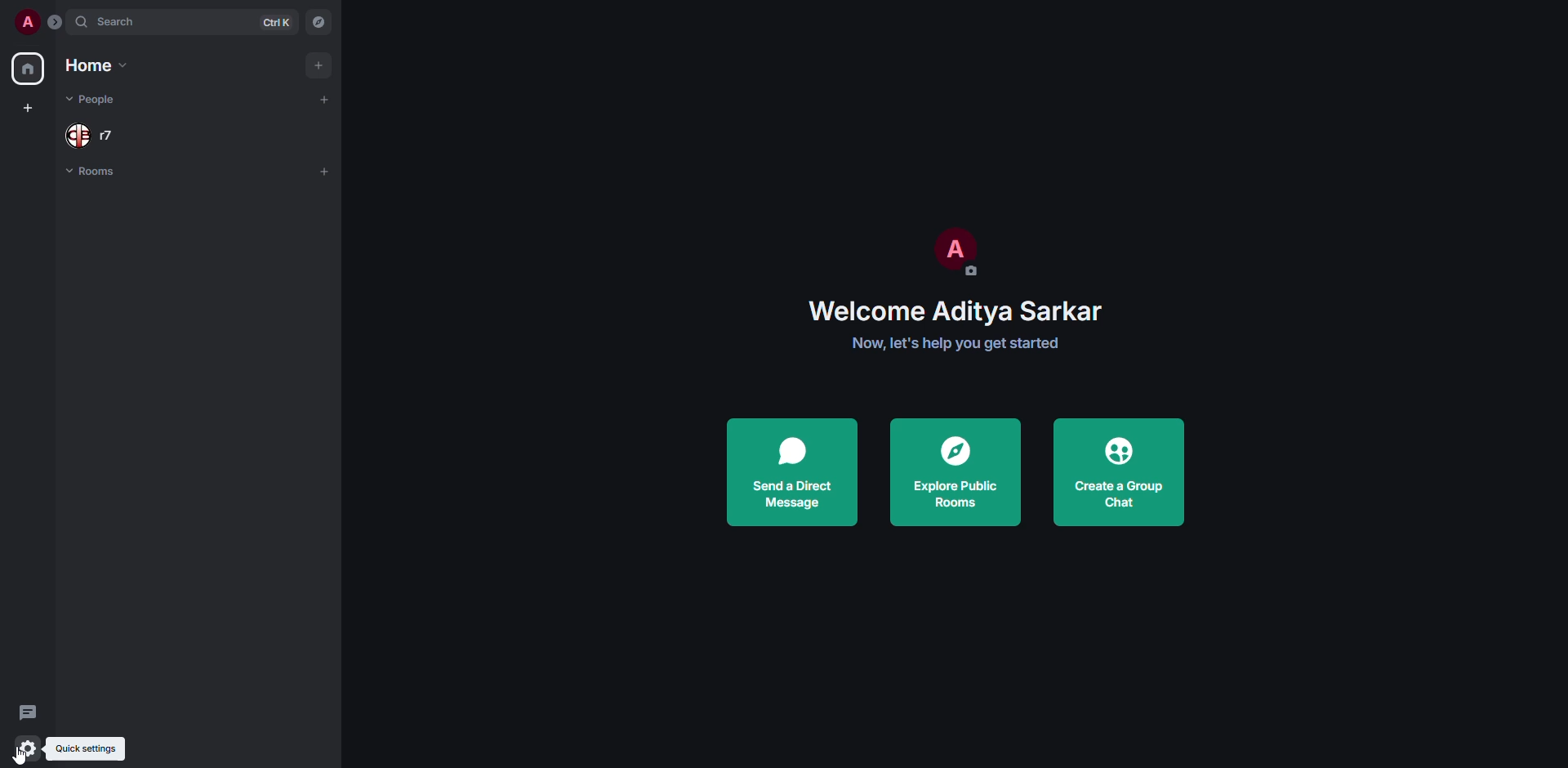  What do you see at coordinates (23, 712) in the screenshot?
I see `threads` at bounding box center [23, 712].